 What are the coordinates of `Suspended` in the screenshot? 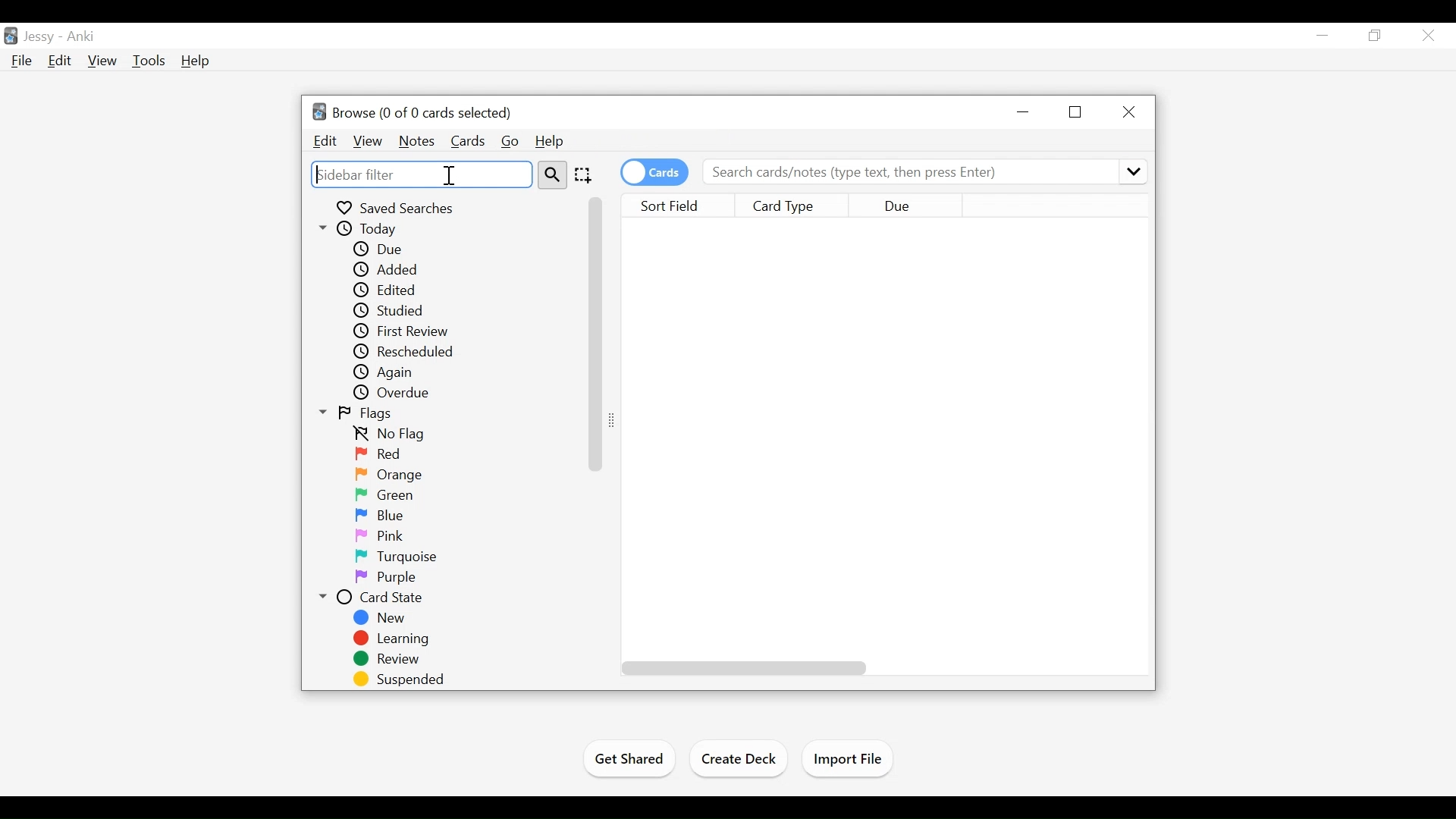 It's located at (402, 679).